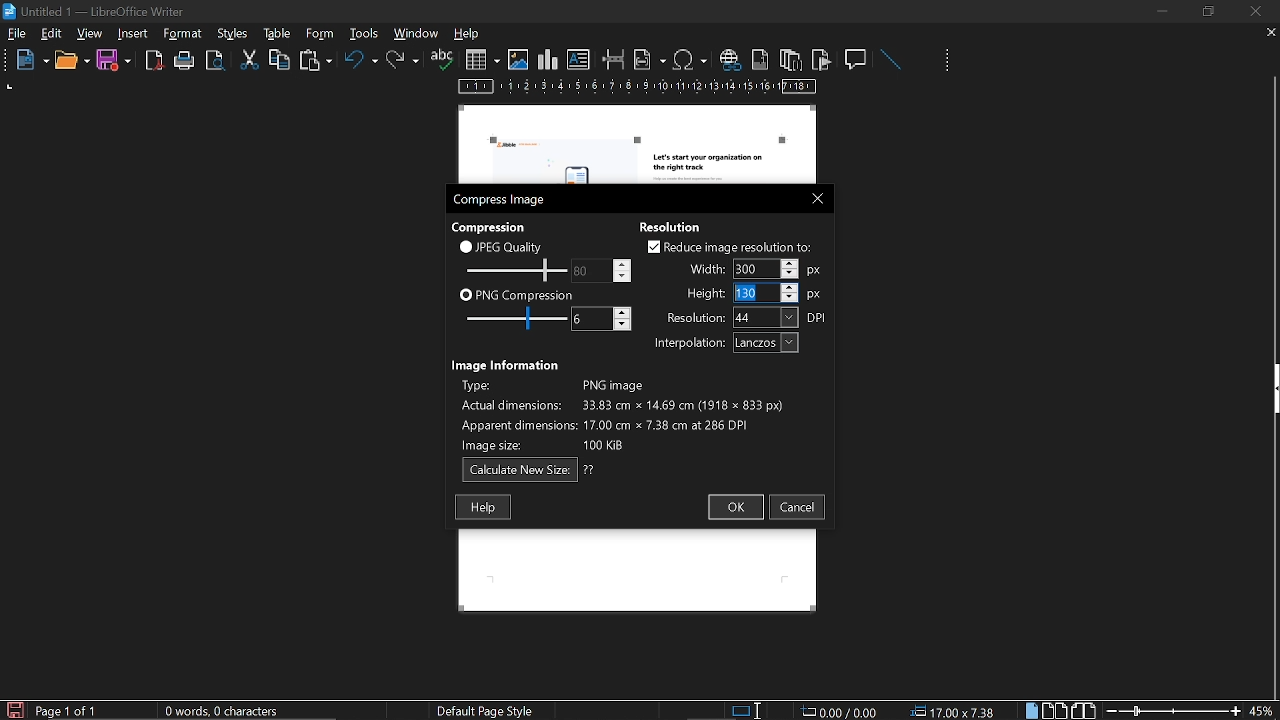 This screenshot has width=1280, height=720. What do you see at coordinates (218, 61) in the screenshot?
I see `toggle print preview` at bounding box center [218, 61].